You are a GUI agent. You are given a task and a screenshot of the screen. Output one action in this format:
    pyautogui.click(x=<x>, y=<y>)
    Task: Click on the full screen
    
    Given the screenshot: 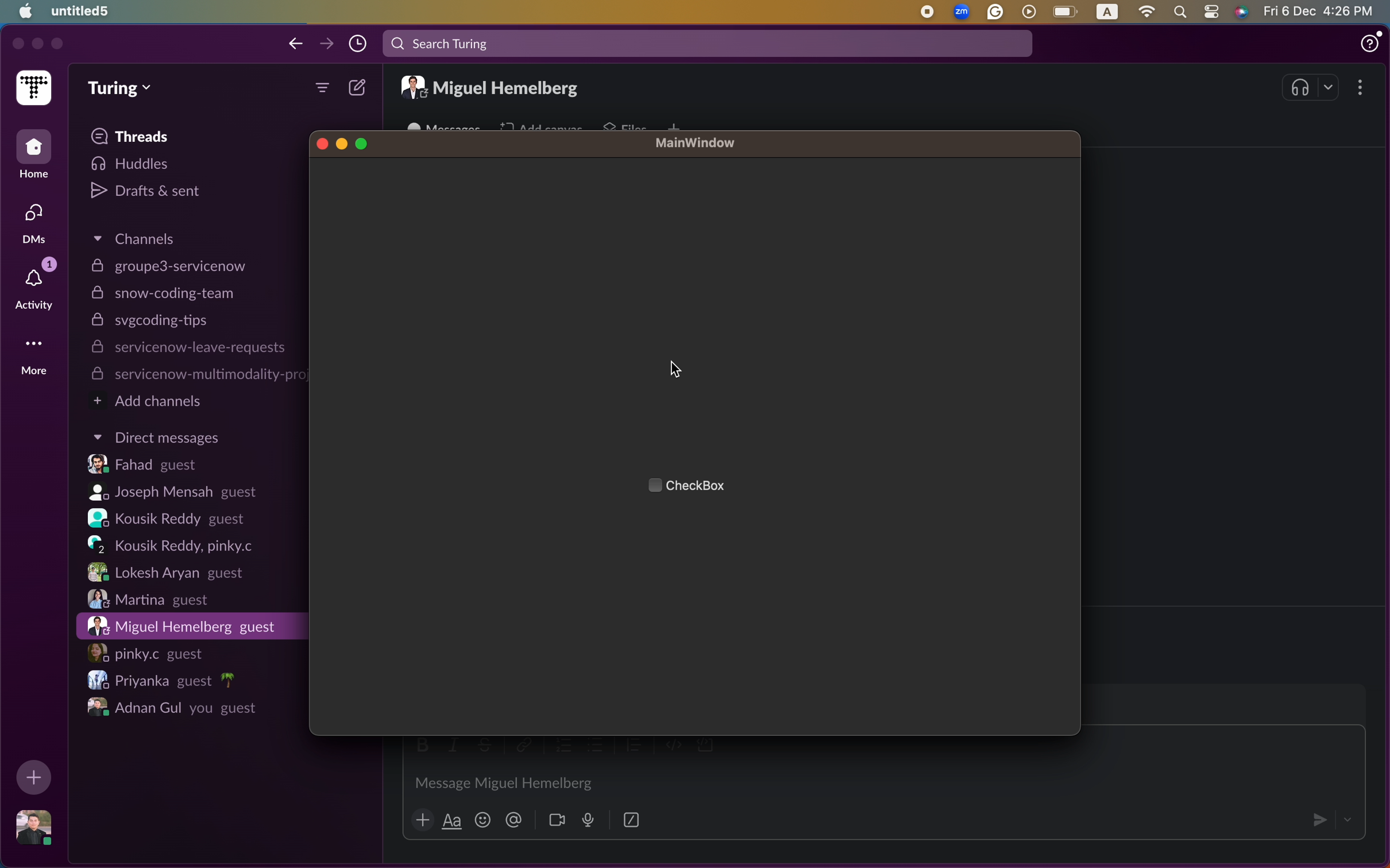 What is the action you would take?
    pyautogui.click(x=362, y=143)
    